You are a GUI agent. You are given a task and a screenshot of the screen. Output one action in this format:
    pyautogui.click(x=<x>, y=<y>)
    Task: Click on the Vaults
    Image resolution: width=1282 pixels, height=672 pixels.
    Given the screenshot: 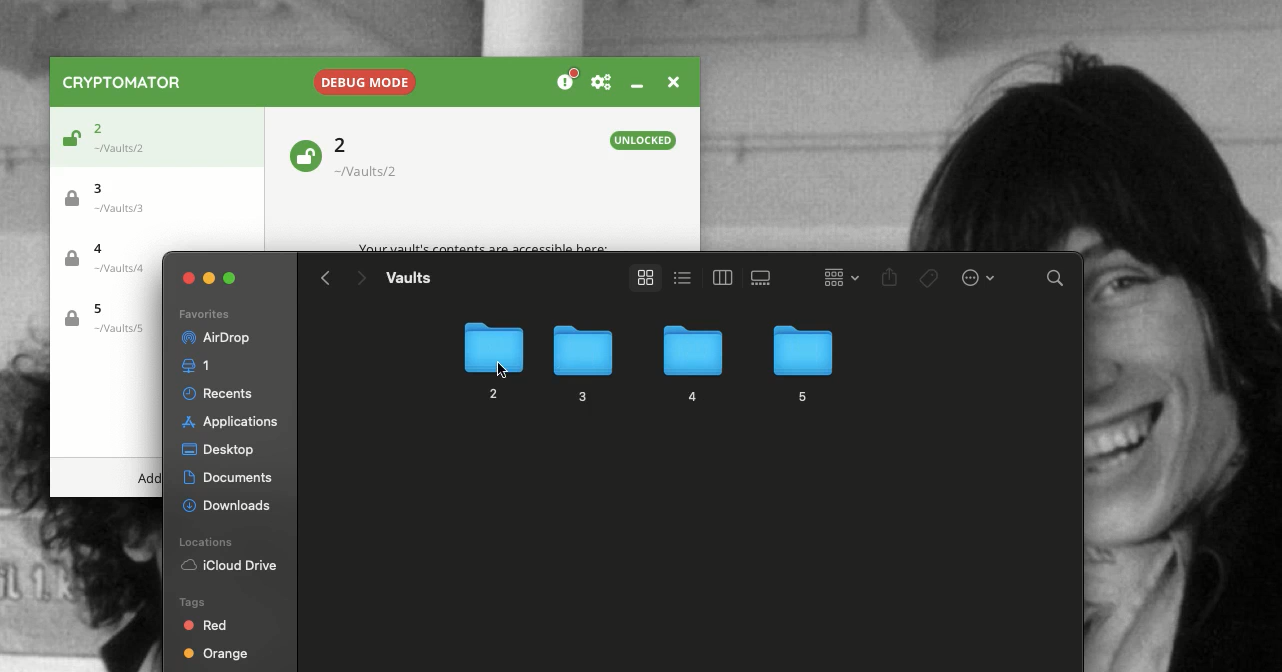 What is the action you would take?
    pyautogui.click(x=408, y=277)
    